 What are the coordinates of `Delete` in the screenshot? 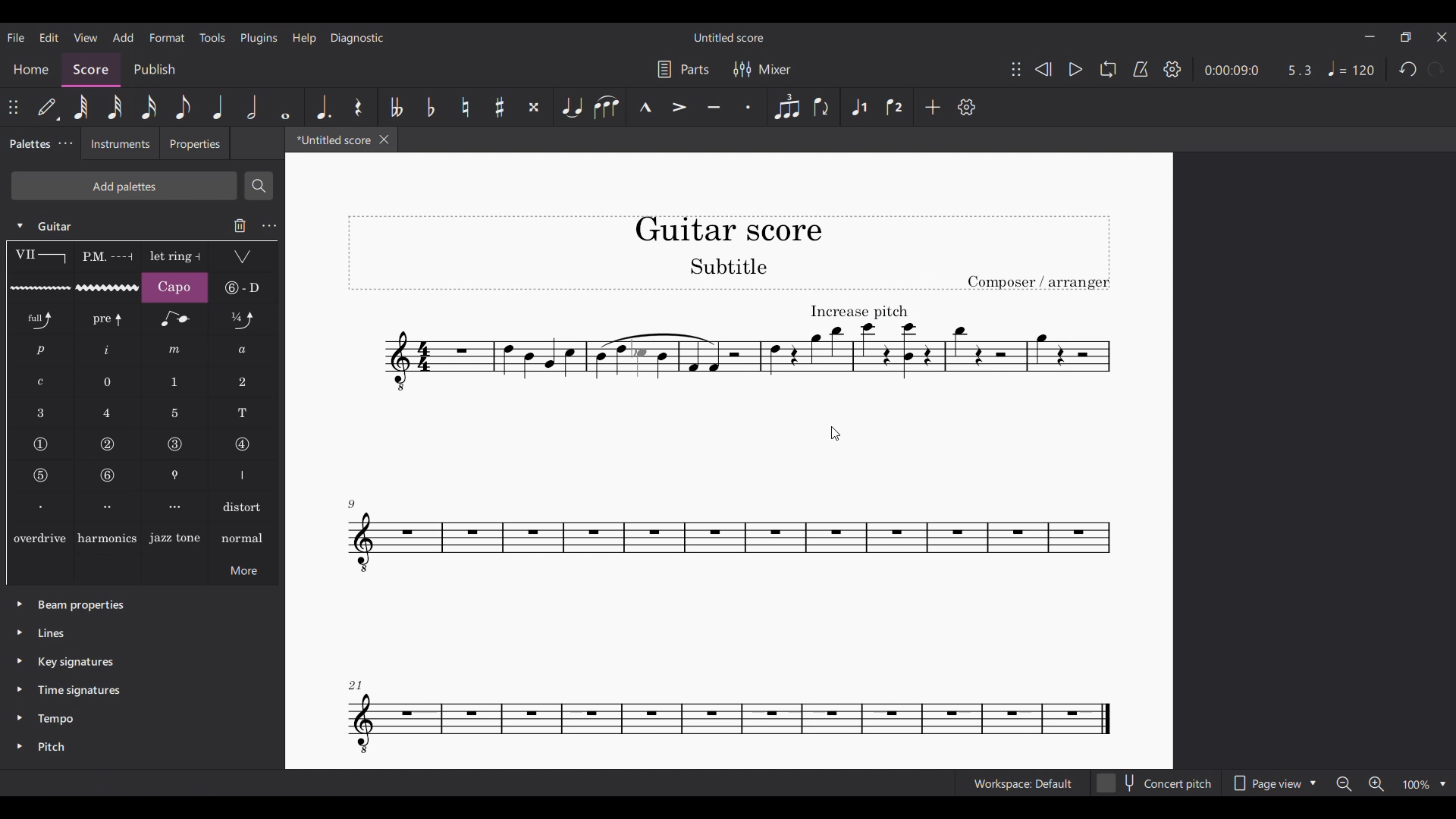 It's located at (240, 225).